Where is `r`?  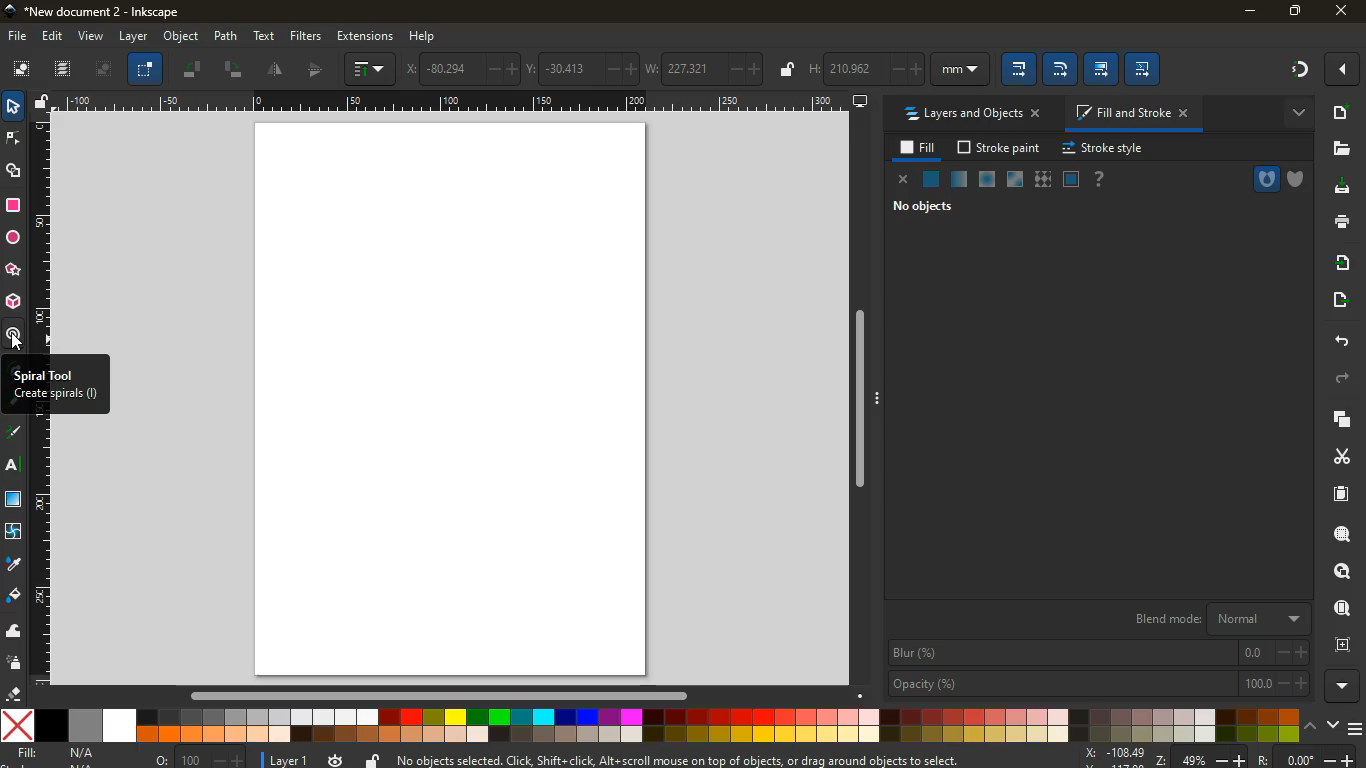
r is located at coordinates (15, 433).